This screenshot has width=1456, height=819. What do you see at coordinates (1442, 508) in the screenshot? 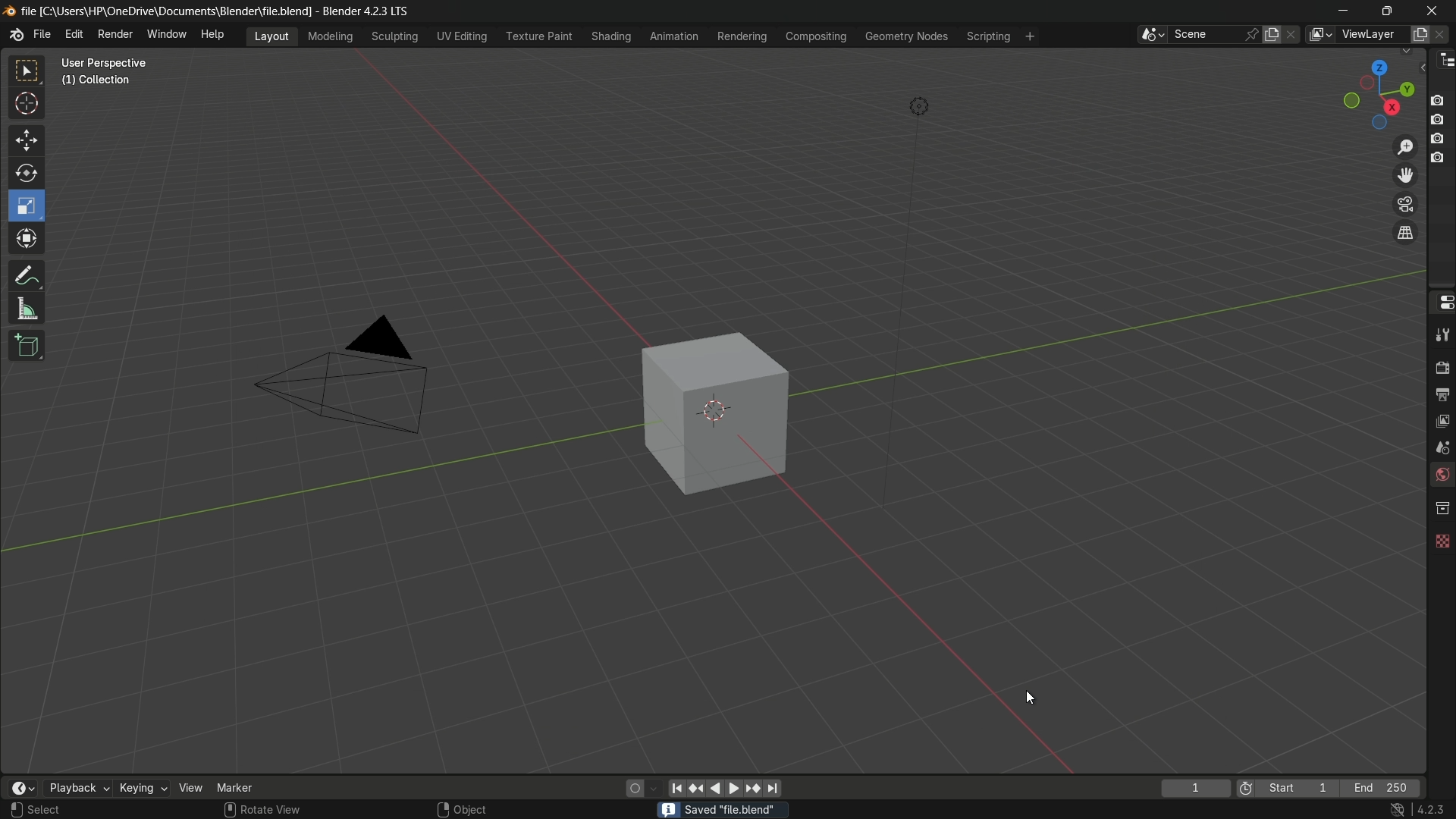
I see `collections` at bounding box center [1442, 508].